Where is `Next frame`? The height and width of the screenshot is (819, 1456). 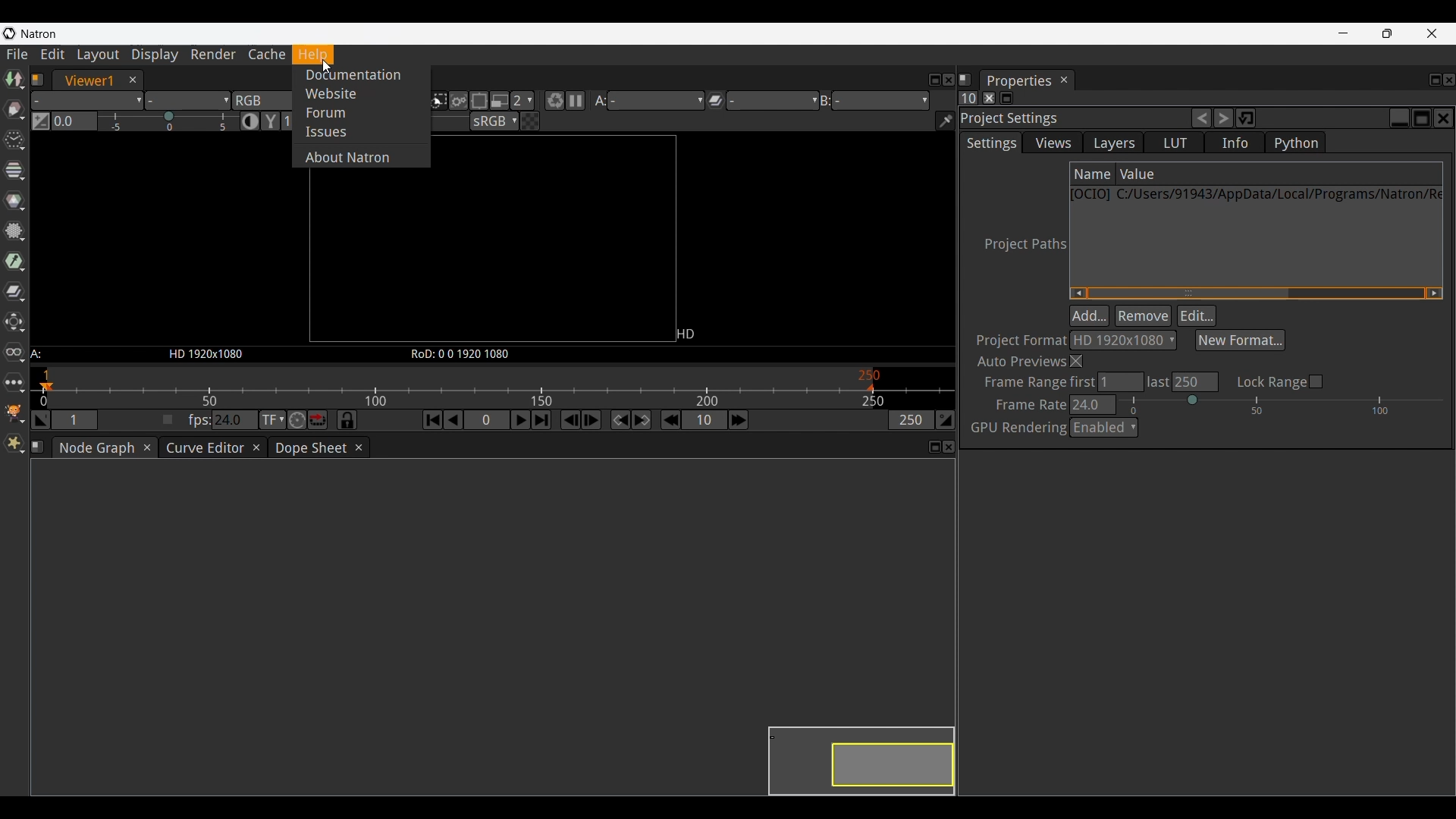
Next frame is located at coordinates (591, 420).